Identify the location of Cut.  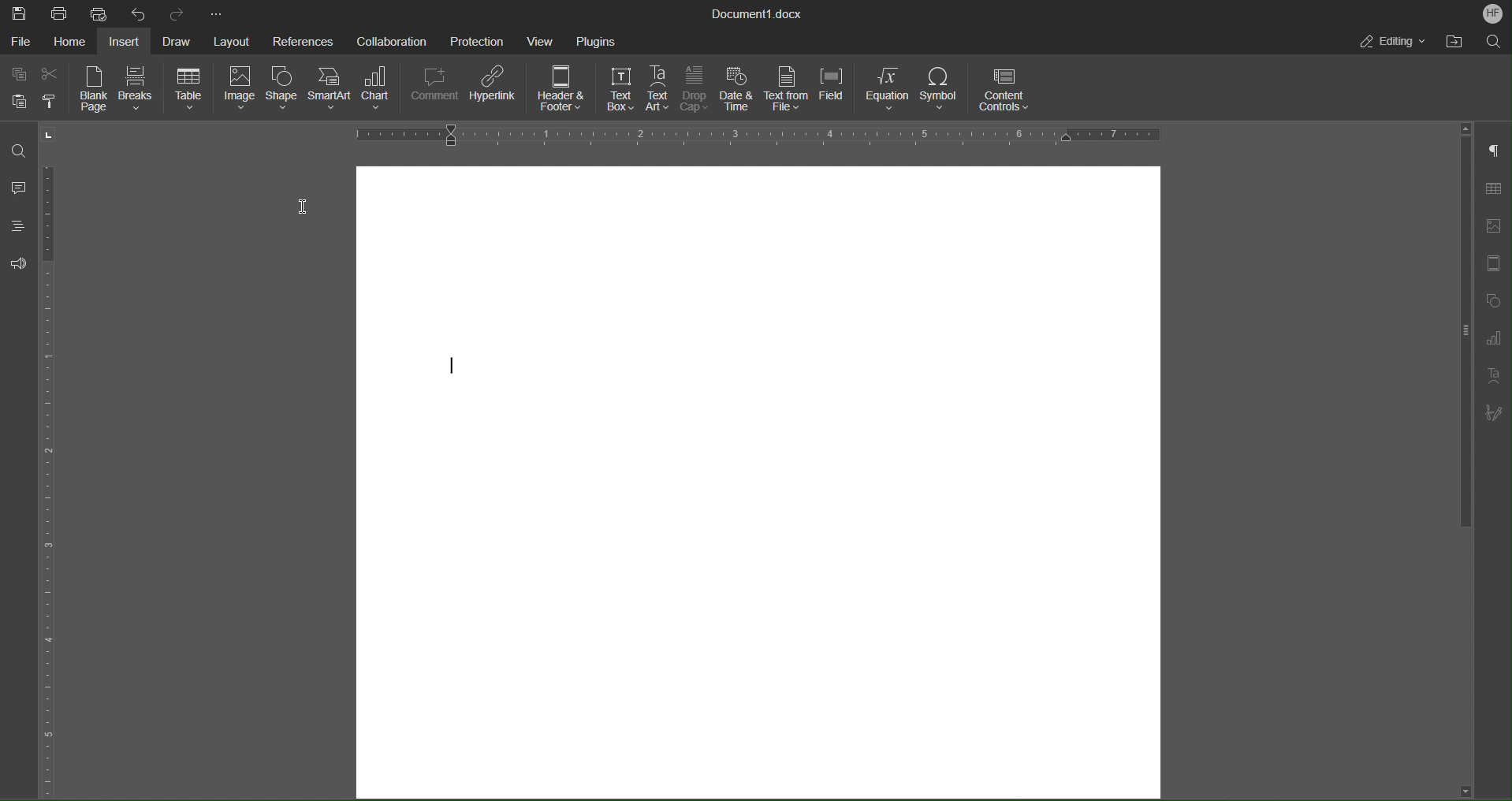
(51, 74).